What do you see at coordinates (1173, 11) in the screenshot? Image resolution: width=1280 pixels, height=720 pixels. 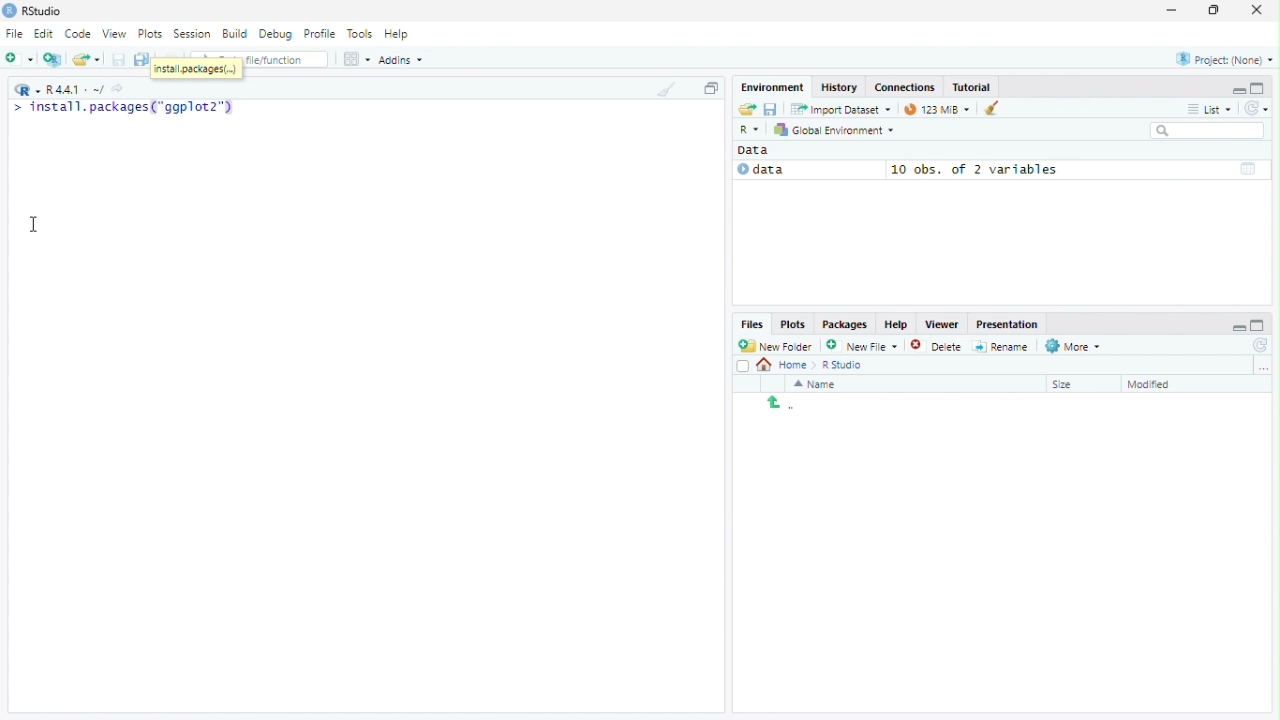 I see `minimize` at bounding box center [1173, 11].